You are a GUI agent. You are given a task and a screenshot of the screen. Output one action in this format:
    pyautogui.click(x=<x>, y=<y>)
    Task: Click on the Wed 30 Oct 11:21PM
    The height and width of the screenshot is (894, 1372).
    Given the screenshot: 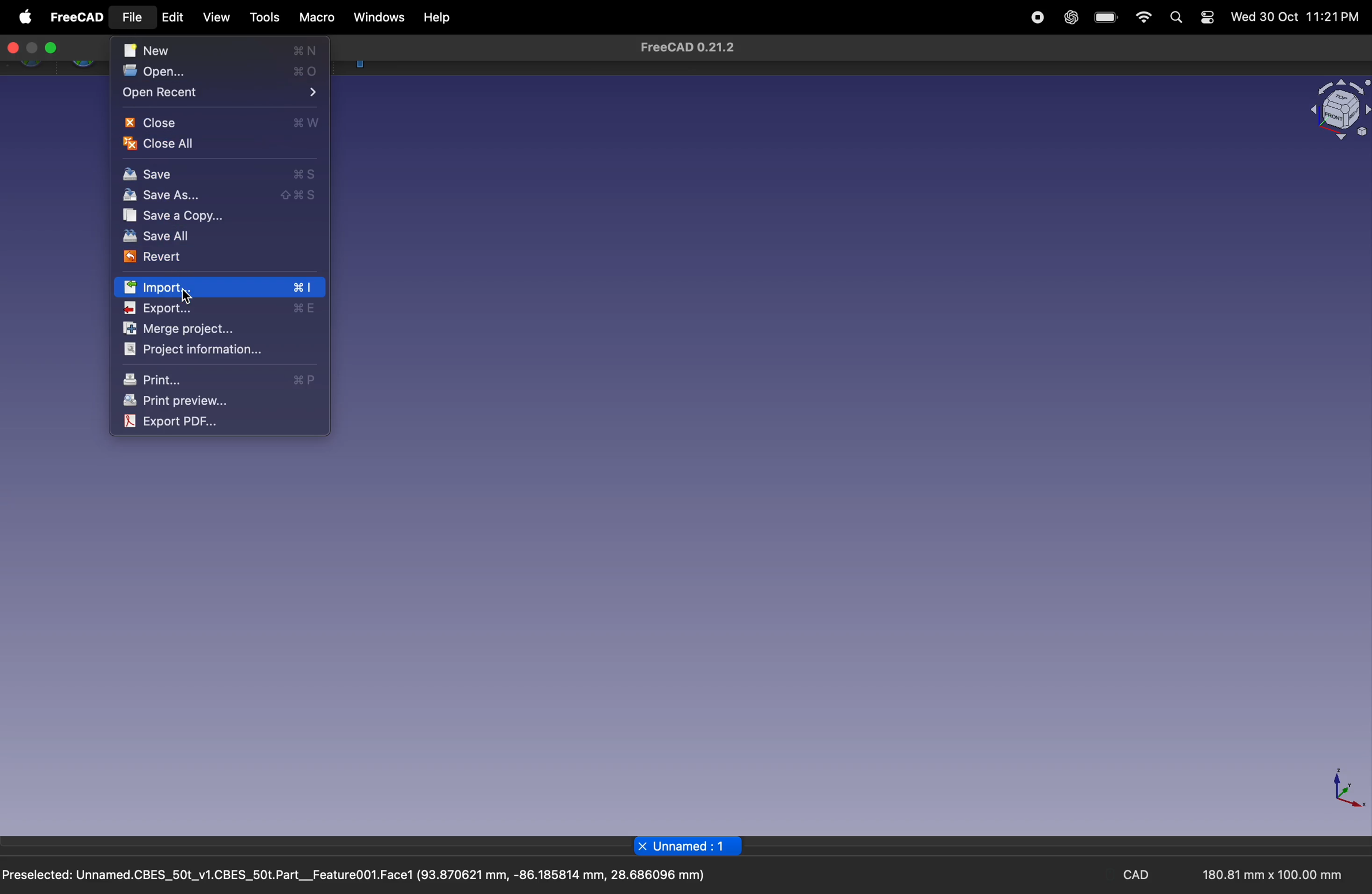 What is the action you would take?
    pyautogui.click(x=1295, y=17)
    